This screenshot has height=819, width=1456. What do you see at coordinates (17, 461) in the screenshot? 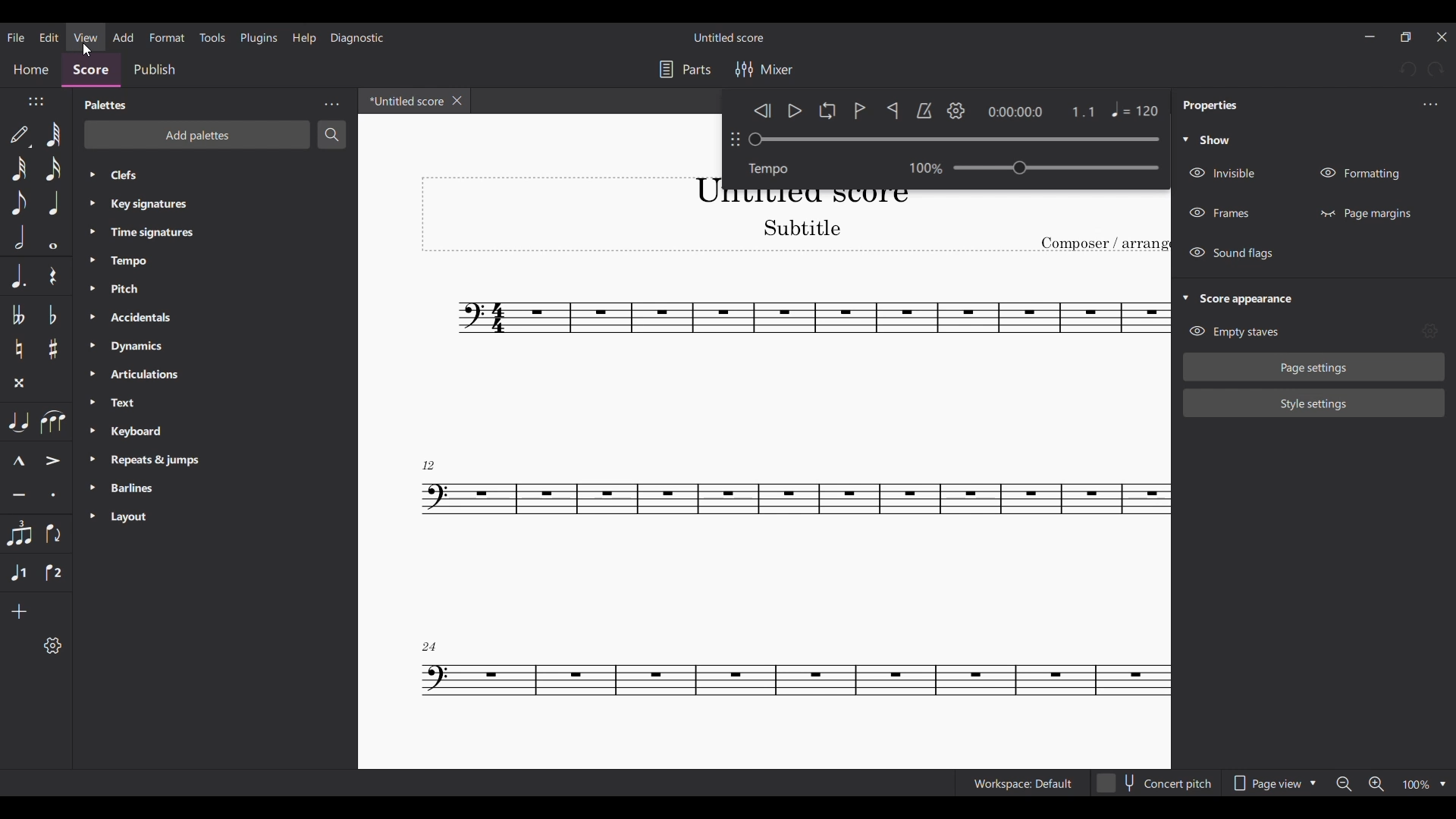
I see `Marcato` at bounding box center [17, 461].